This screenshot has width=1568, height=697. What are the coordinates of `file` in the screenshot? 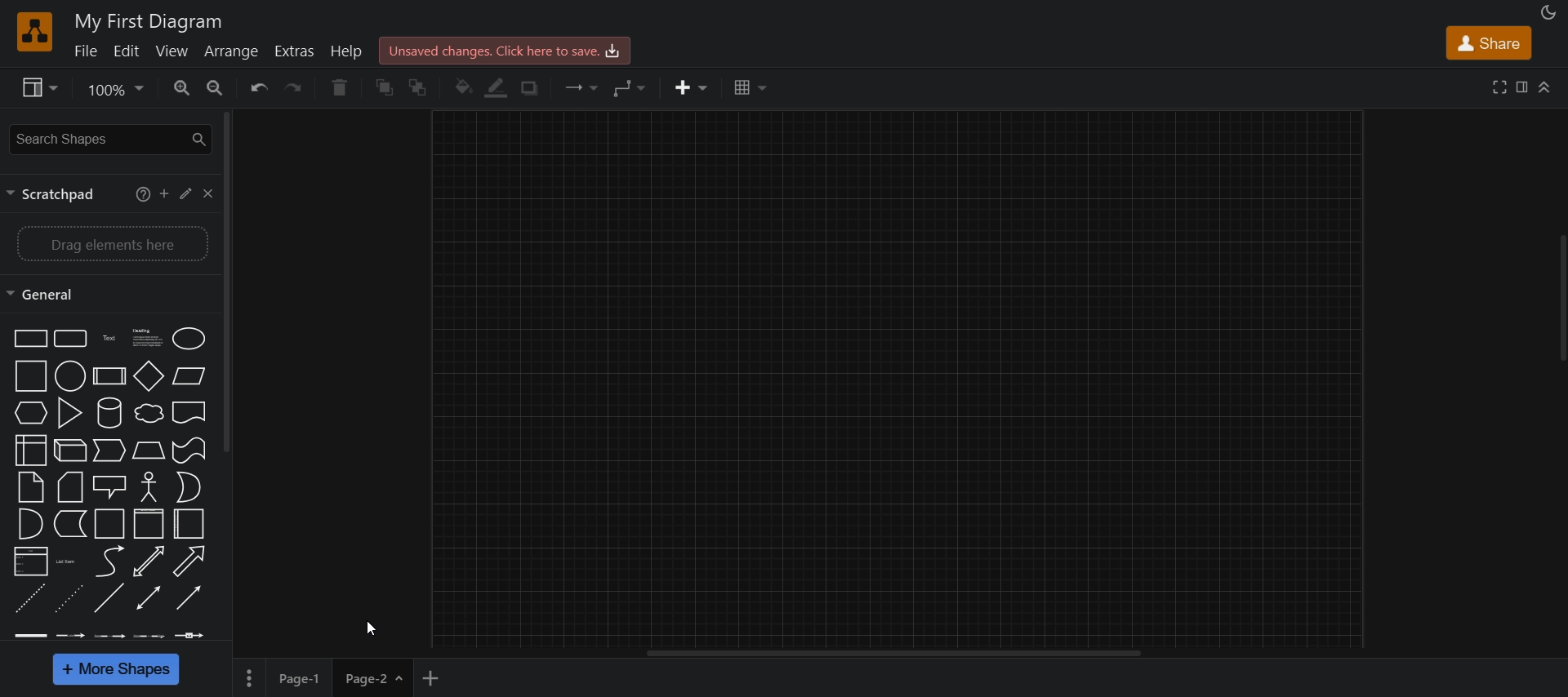 It's located at (86, 52).